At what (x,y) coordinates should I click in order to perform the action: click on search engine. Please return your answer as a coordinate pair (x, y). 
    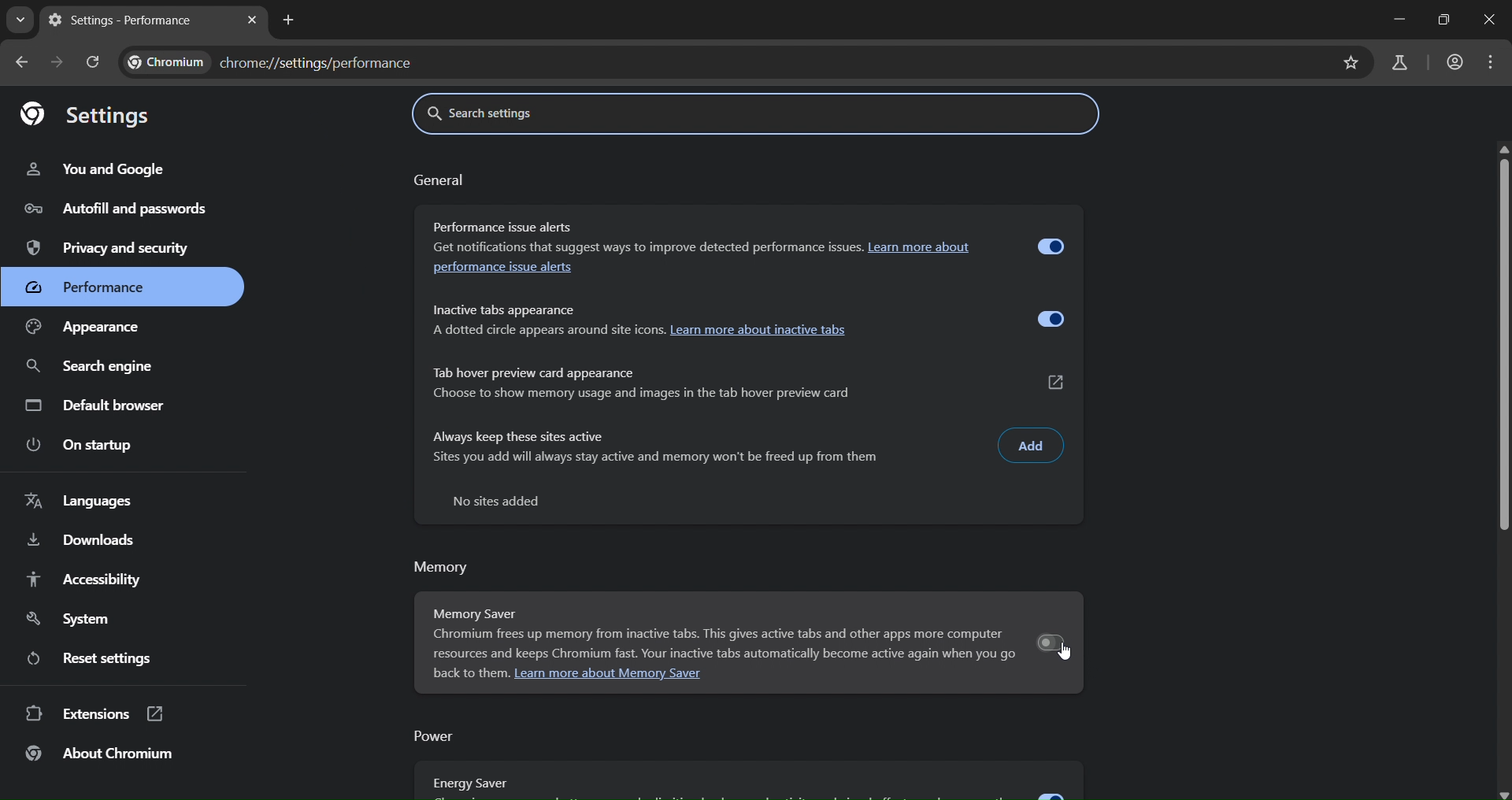
    Looking at the image, I should click on (99, 365).